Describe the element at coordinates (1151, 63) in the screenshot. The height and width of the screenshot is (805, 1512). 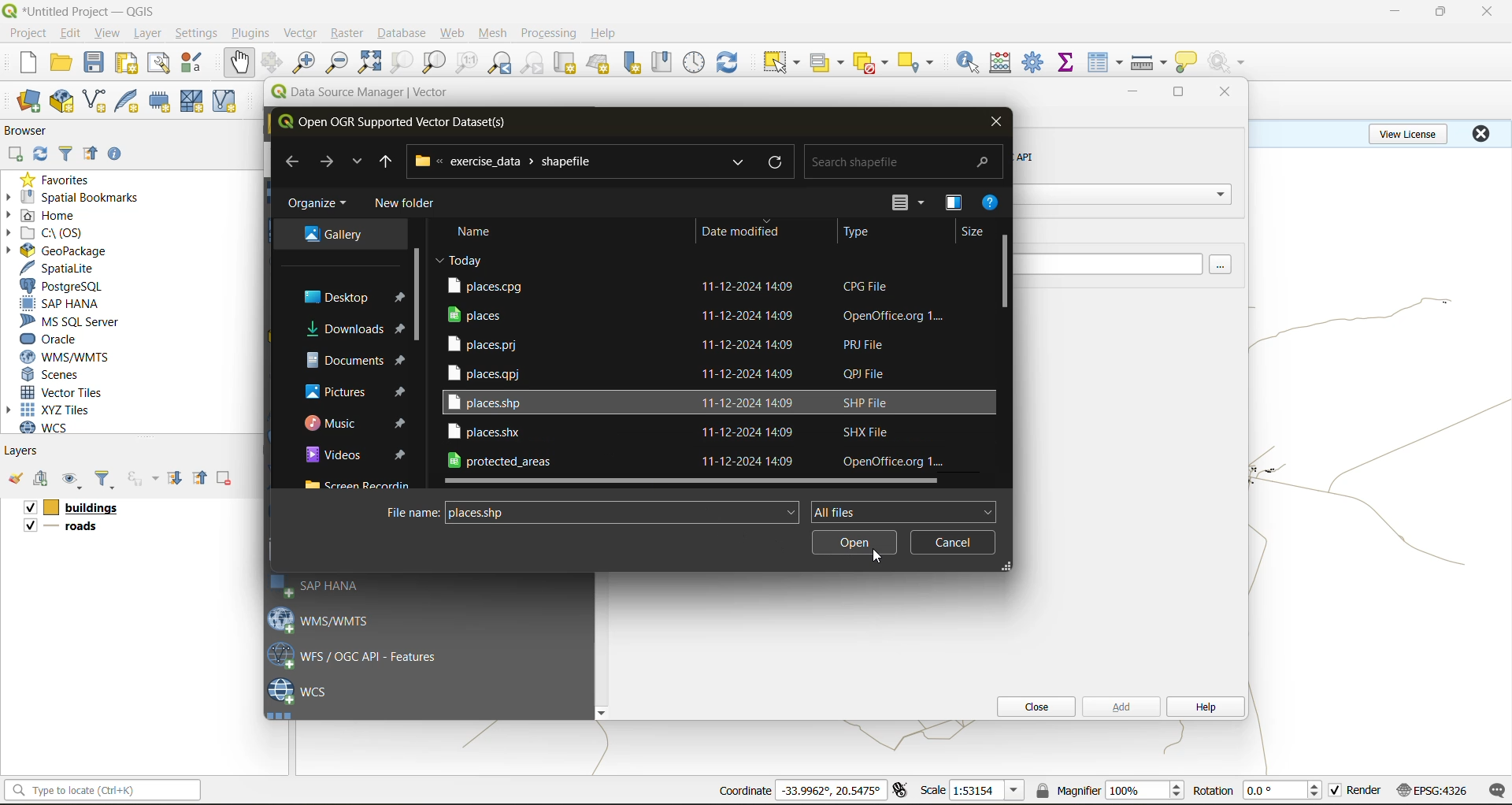
I see `measure line` at that location.